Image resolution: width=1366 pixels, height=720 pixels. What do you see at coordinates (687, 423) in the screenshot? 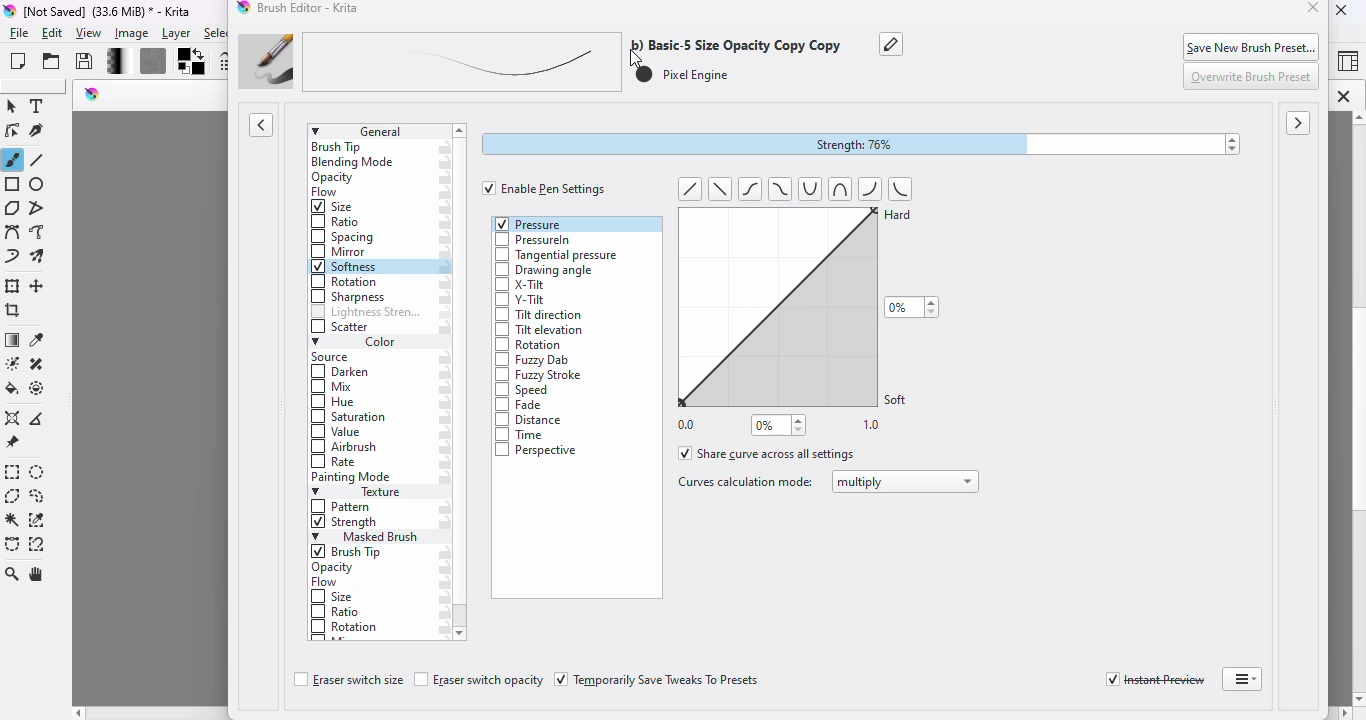
I see `0.0` at bounding box center [687, 423].